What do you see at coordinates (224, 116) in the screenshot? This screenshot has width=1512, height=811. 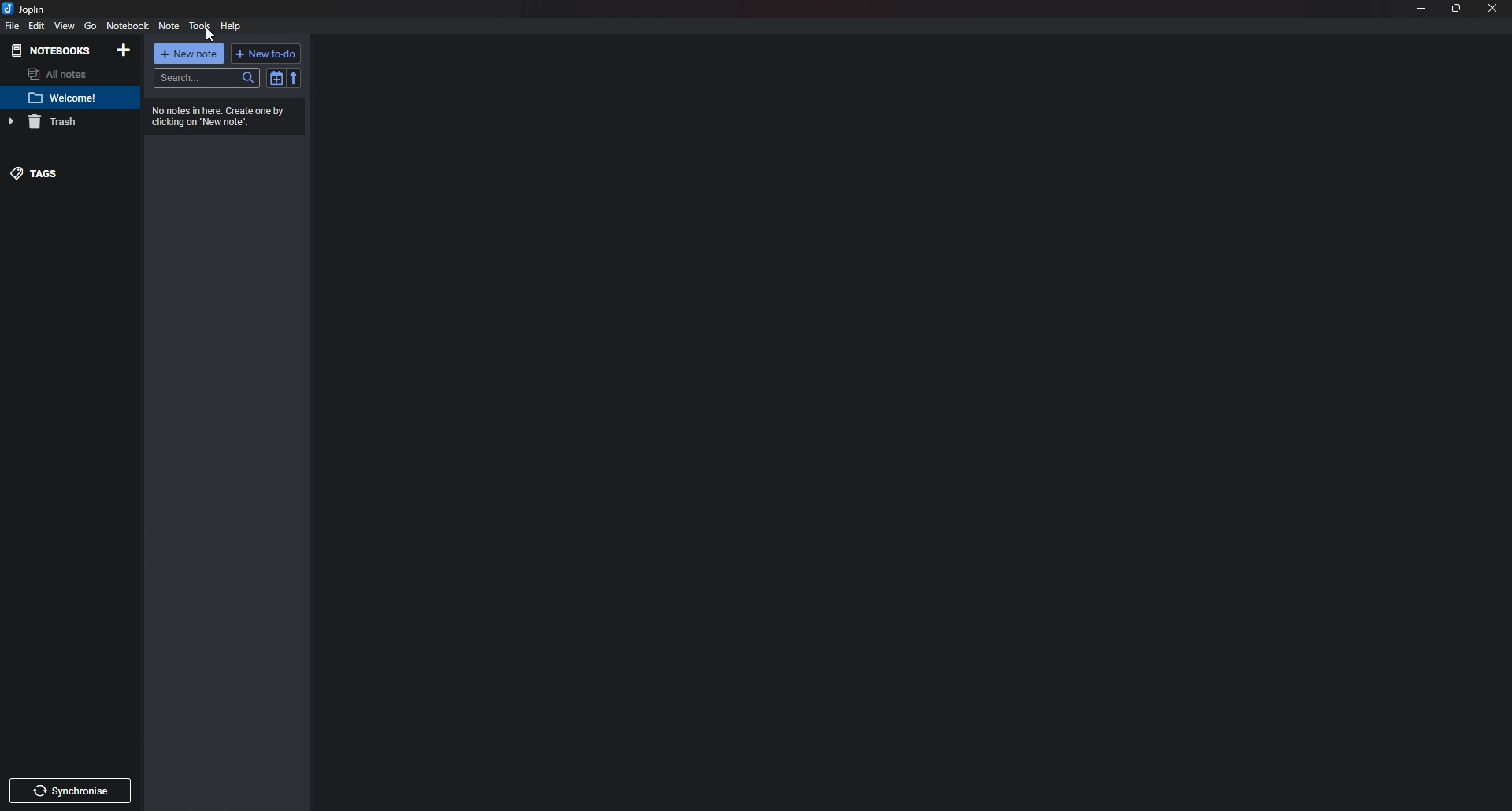 I see `Info` at bounding box center [224, 116].